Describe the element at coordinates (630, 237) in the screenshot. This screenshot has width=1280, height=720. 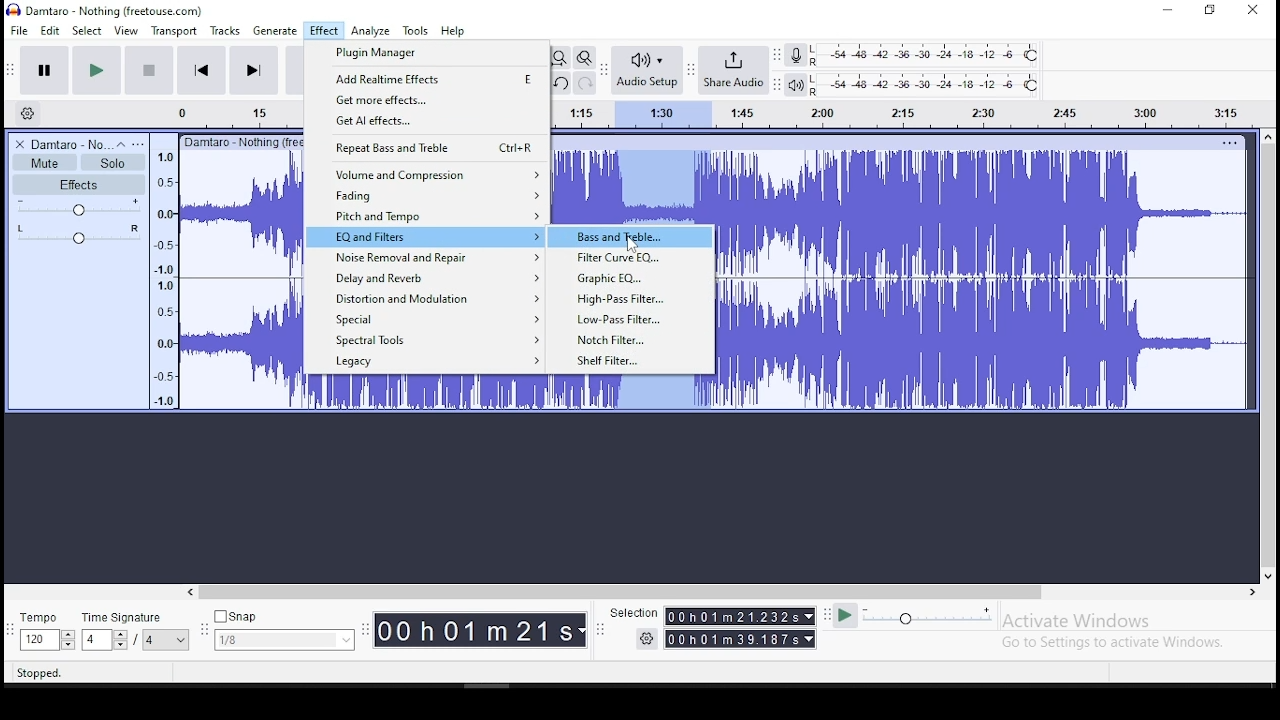
I see `bass and treble` at that location.